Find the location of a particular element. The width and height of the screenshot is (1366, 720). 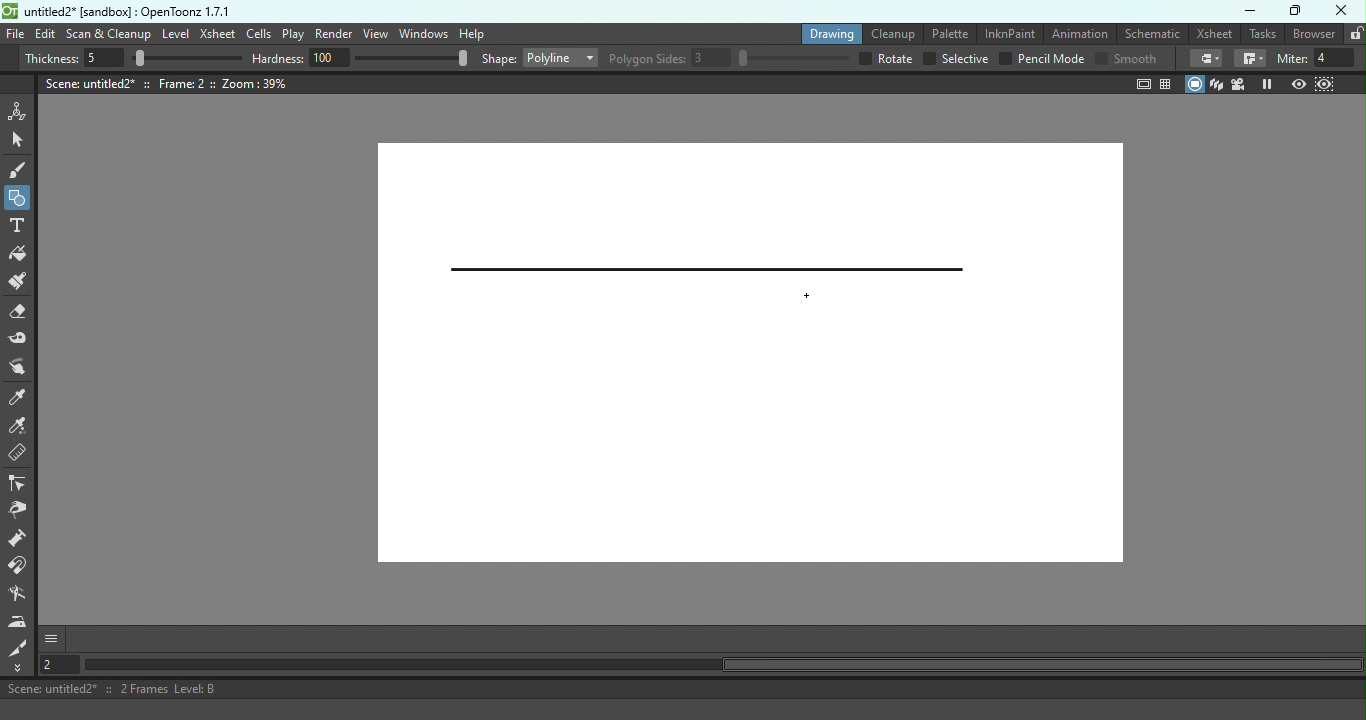

Blender tool is located at coordinates (21, 596).